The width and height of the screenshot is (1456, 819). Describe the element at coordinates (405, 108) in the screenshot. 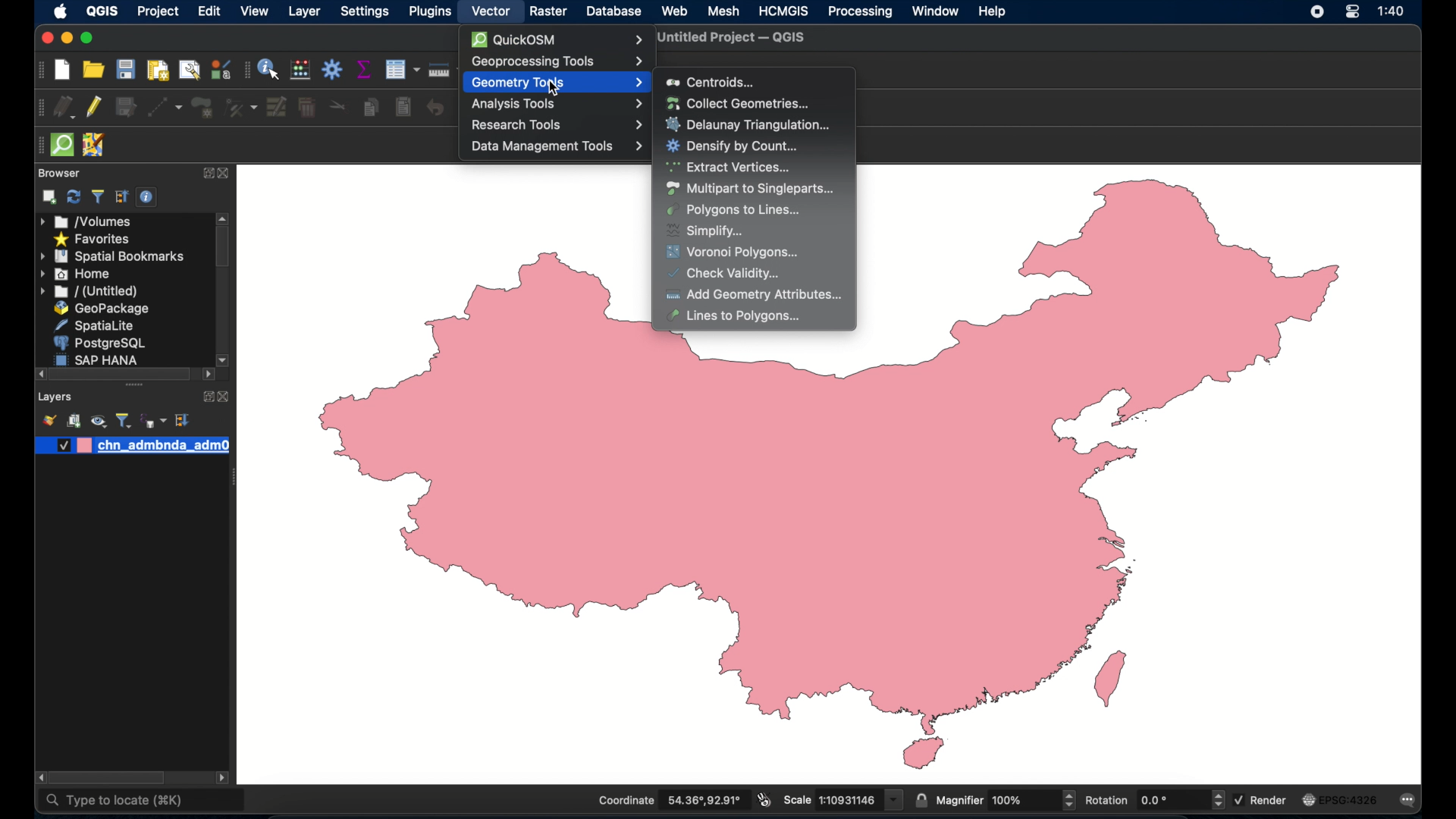

I see `paste features` at that location.